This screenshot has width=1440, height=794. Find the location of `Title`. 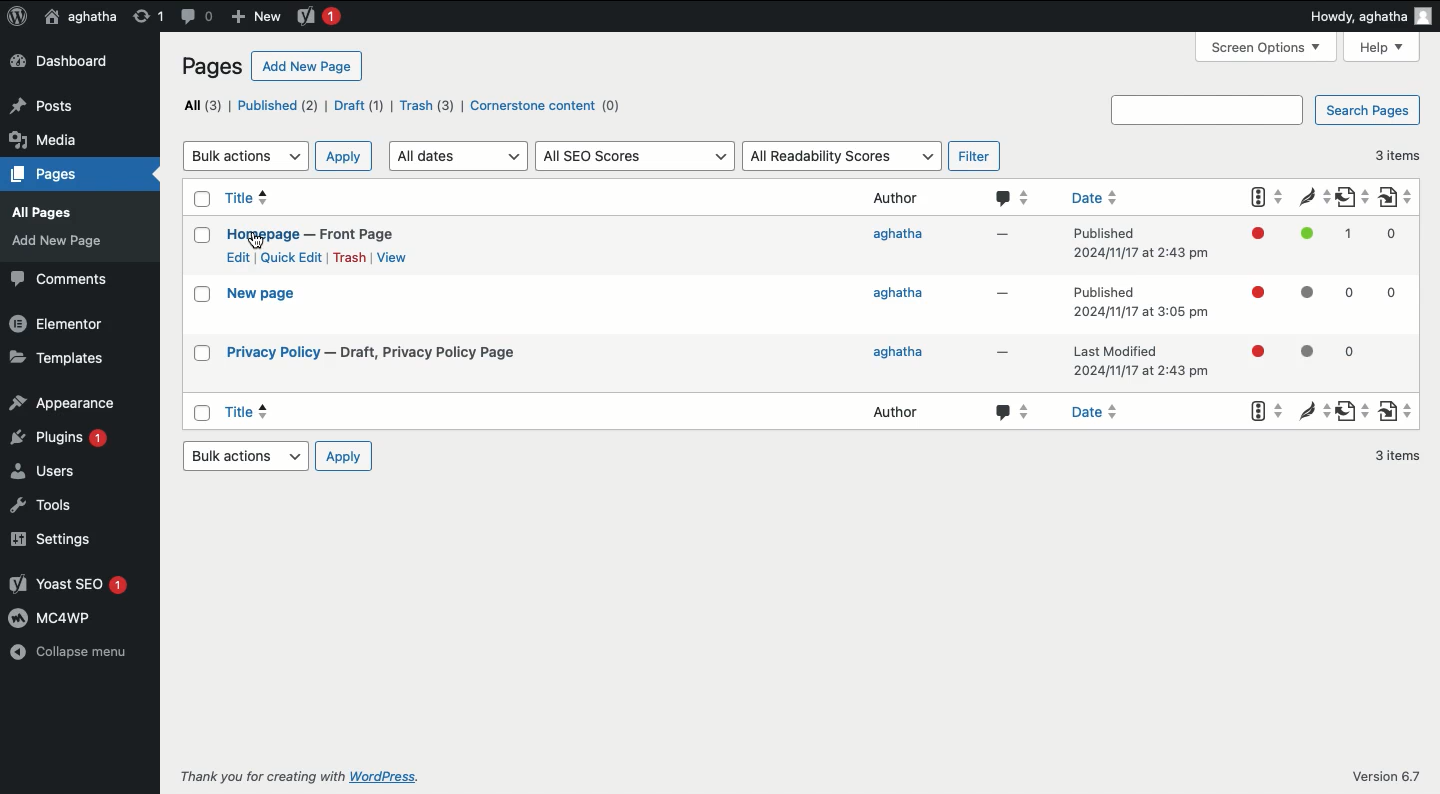

Title is located at coordinates (314, 216).